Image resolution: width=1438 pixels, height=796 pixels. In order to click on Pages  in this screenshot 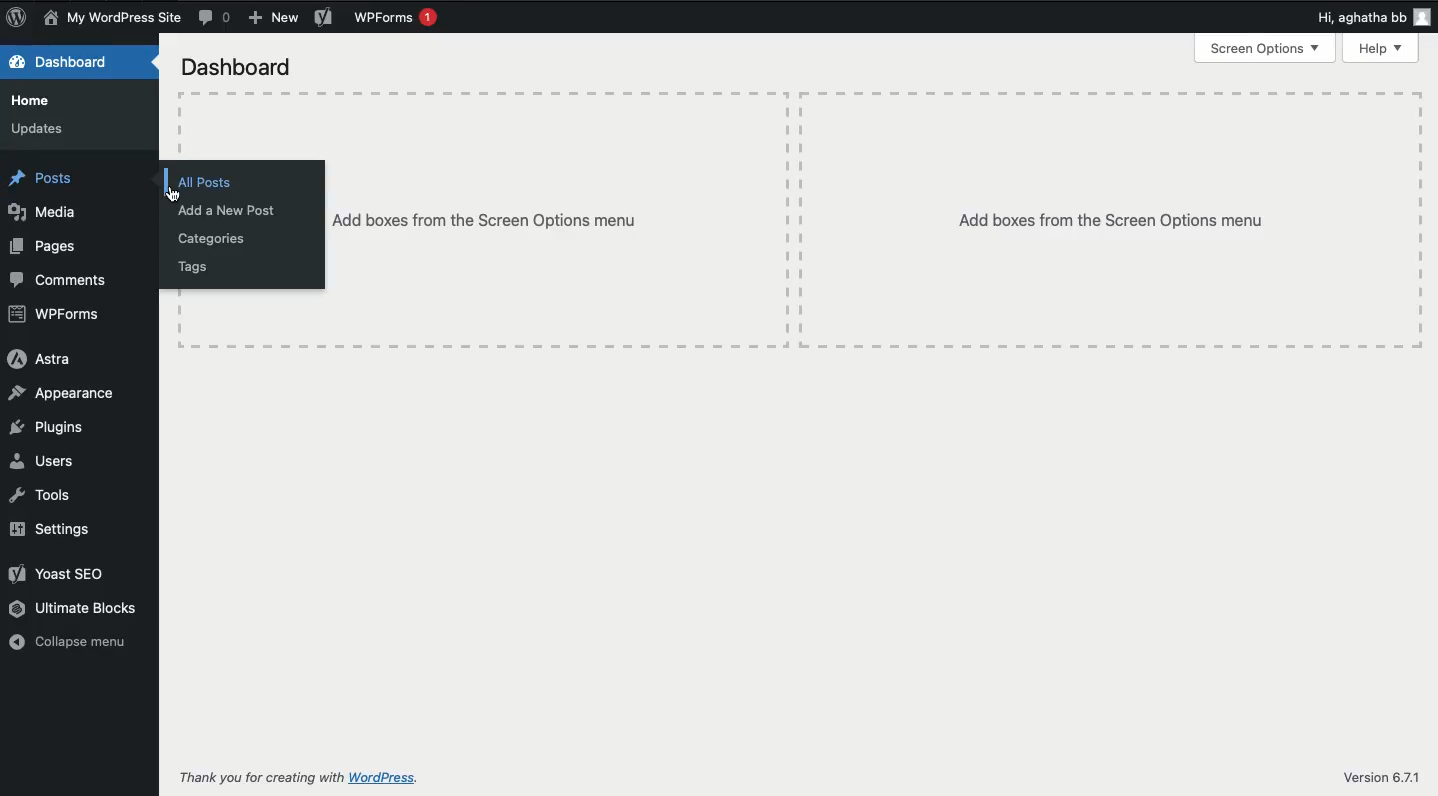, I will do `click(46, 246)`.